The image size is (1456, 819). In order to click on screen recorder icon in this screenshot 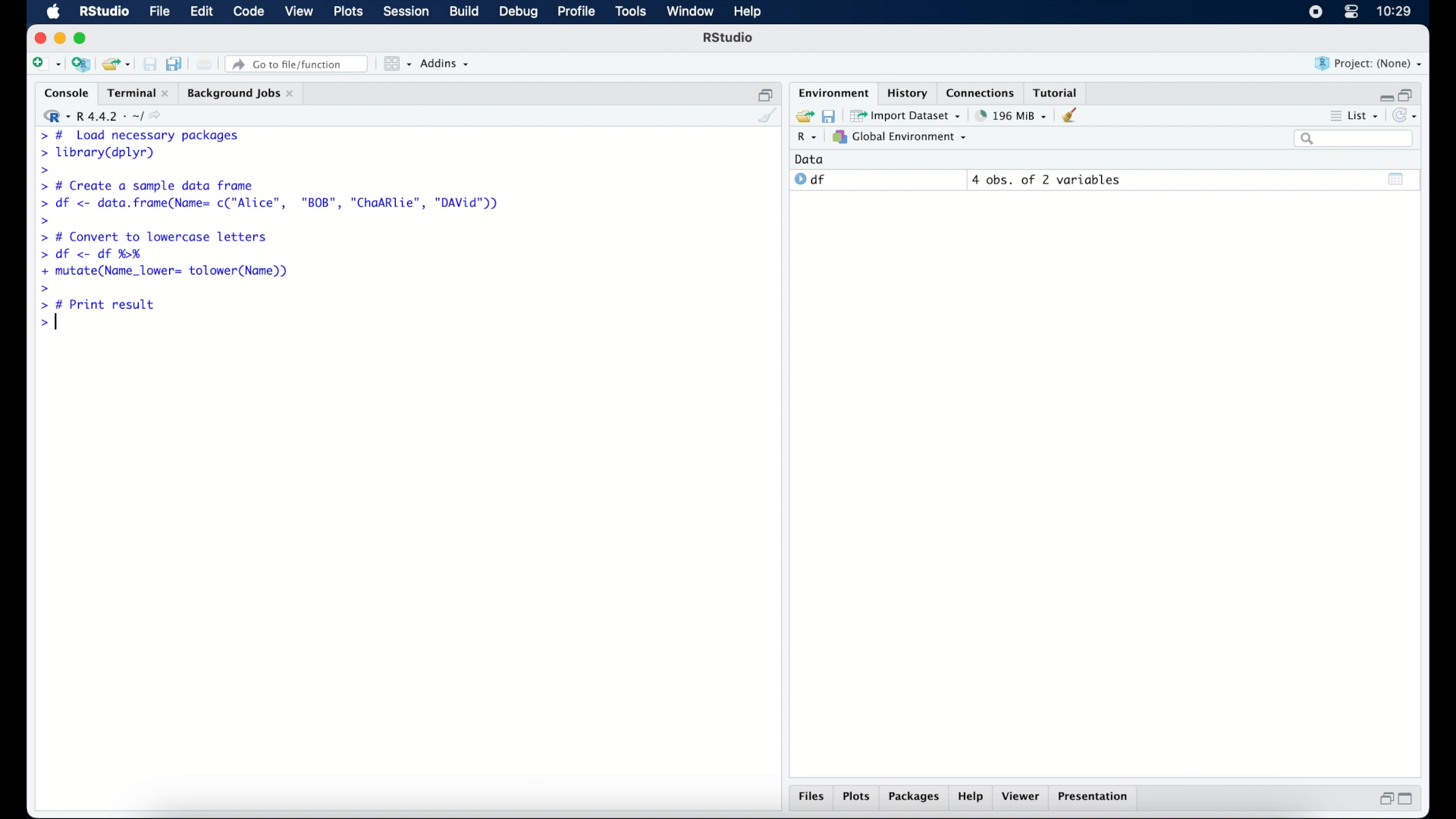, I will do `click(1314, 12)`.